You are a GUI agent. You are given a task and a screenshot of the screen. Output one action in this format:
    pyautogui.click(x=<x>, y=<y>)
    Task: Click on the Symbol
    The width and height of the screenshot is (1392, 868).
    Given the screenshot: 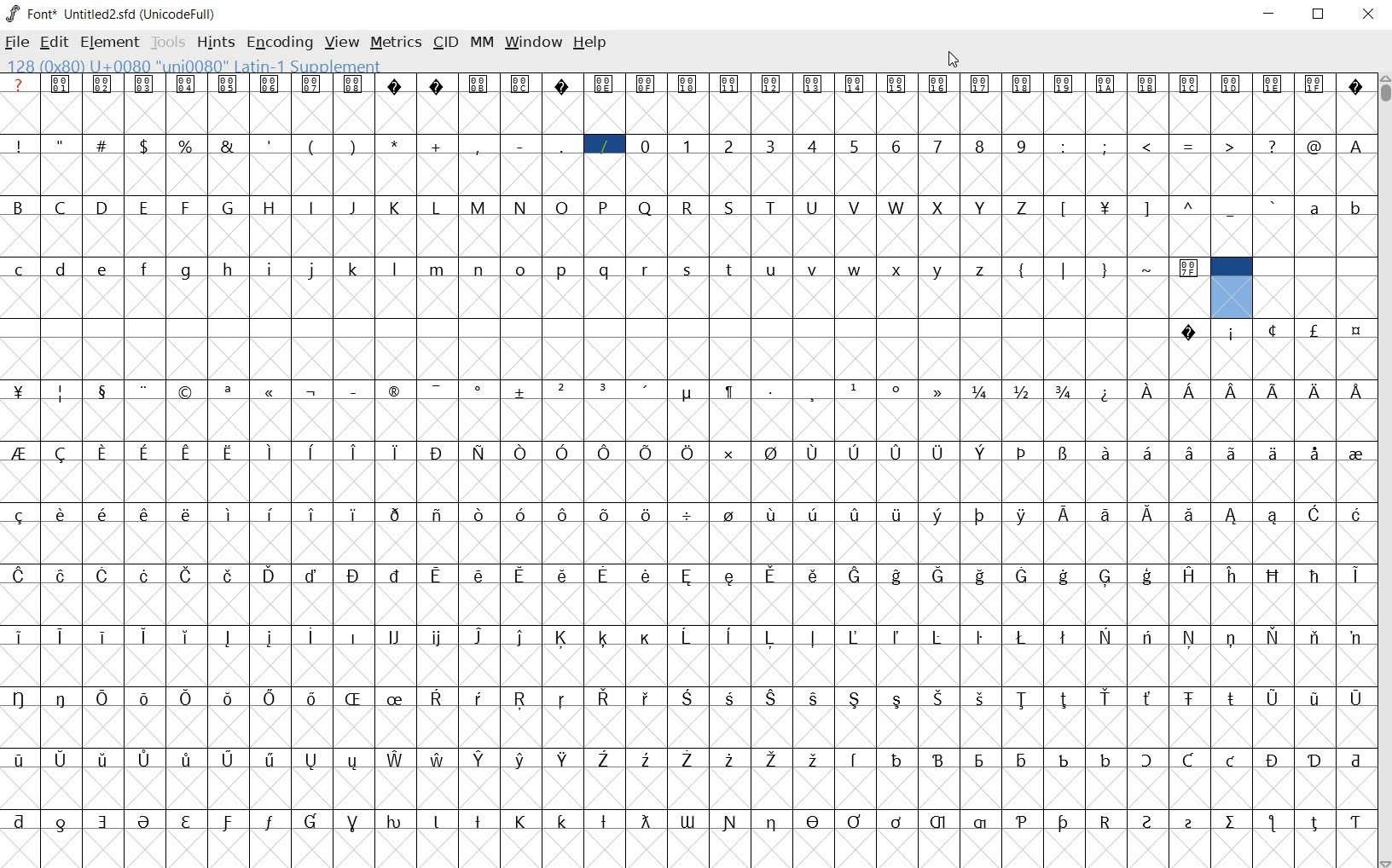 What is the action you would take?
    pyautogui.click(x=605, y=389)
    